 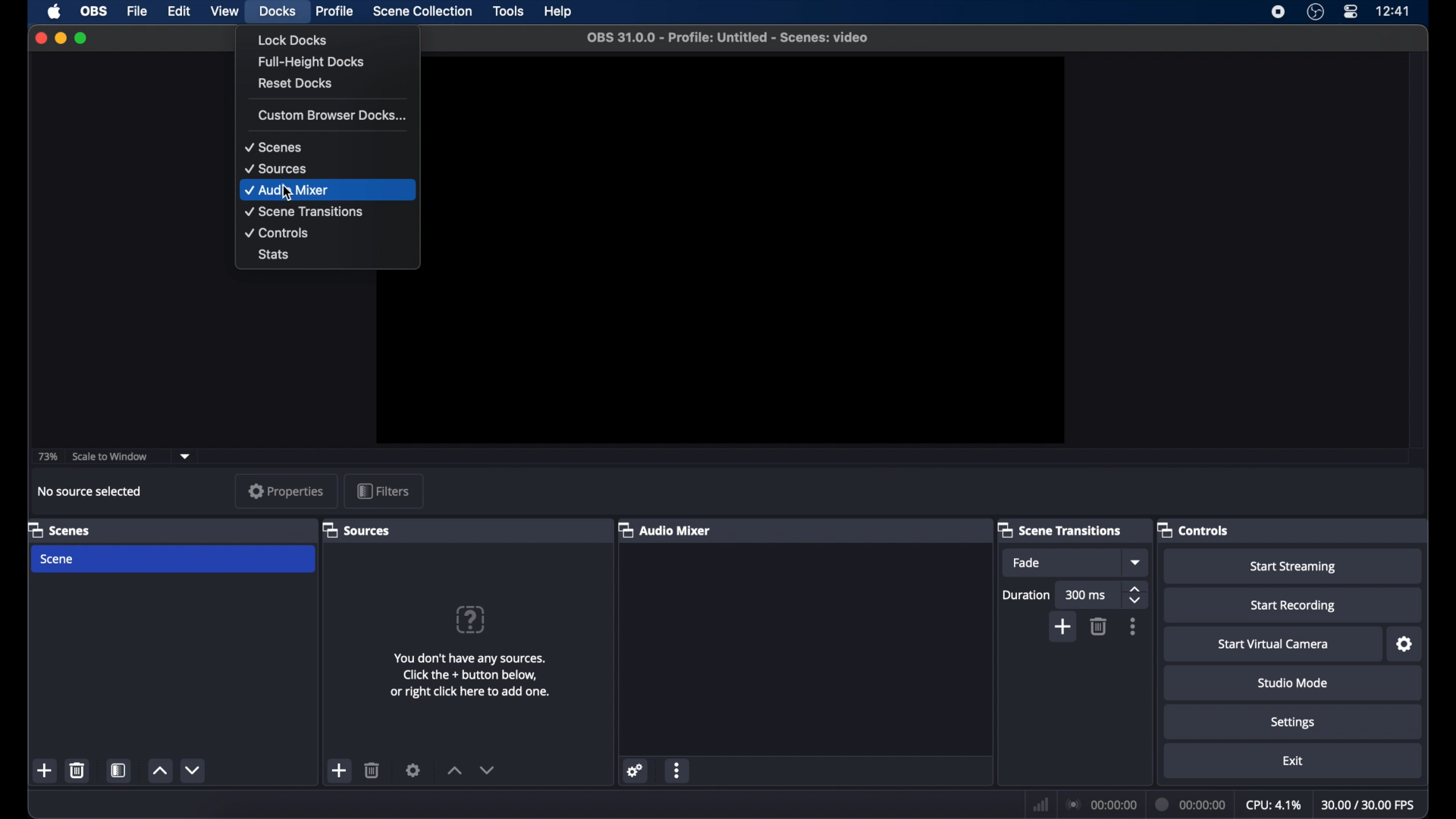 I want to click on scene filters, so click(x=119, y=770).